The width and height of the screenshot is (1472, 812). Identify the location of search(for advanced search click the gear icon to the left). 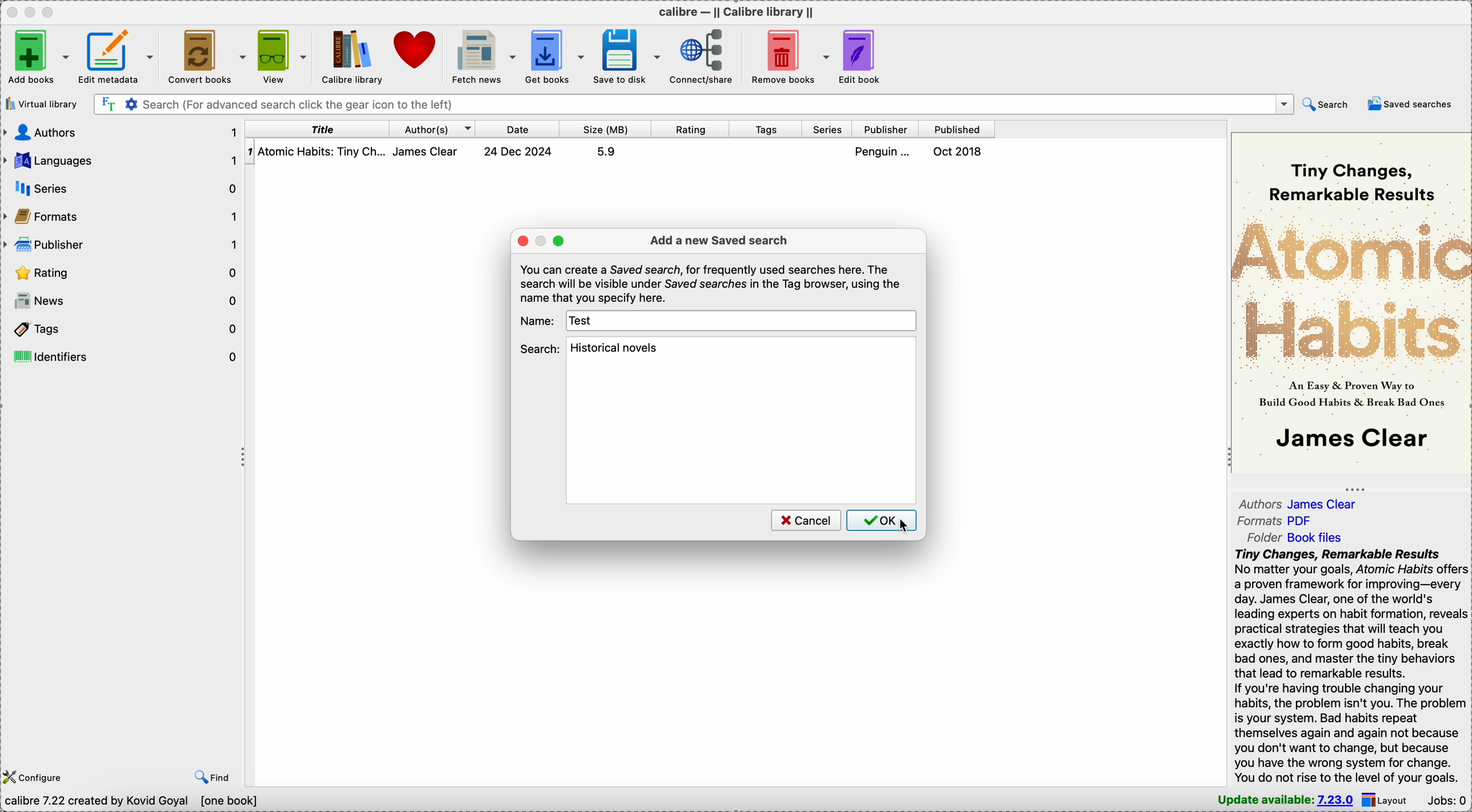
(693, 103).